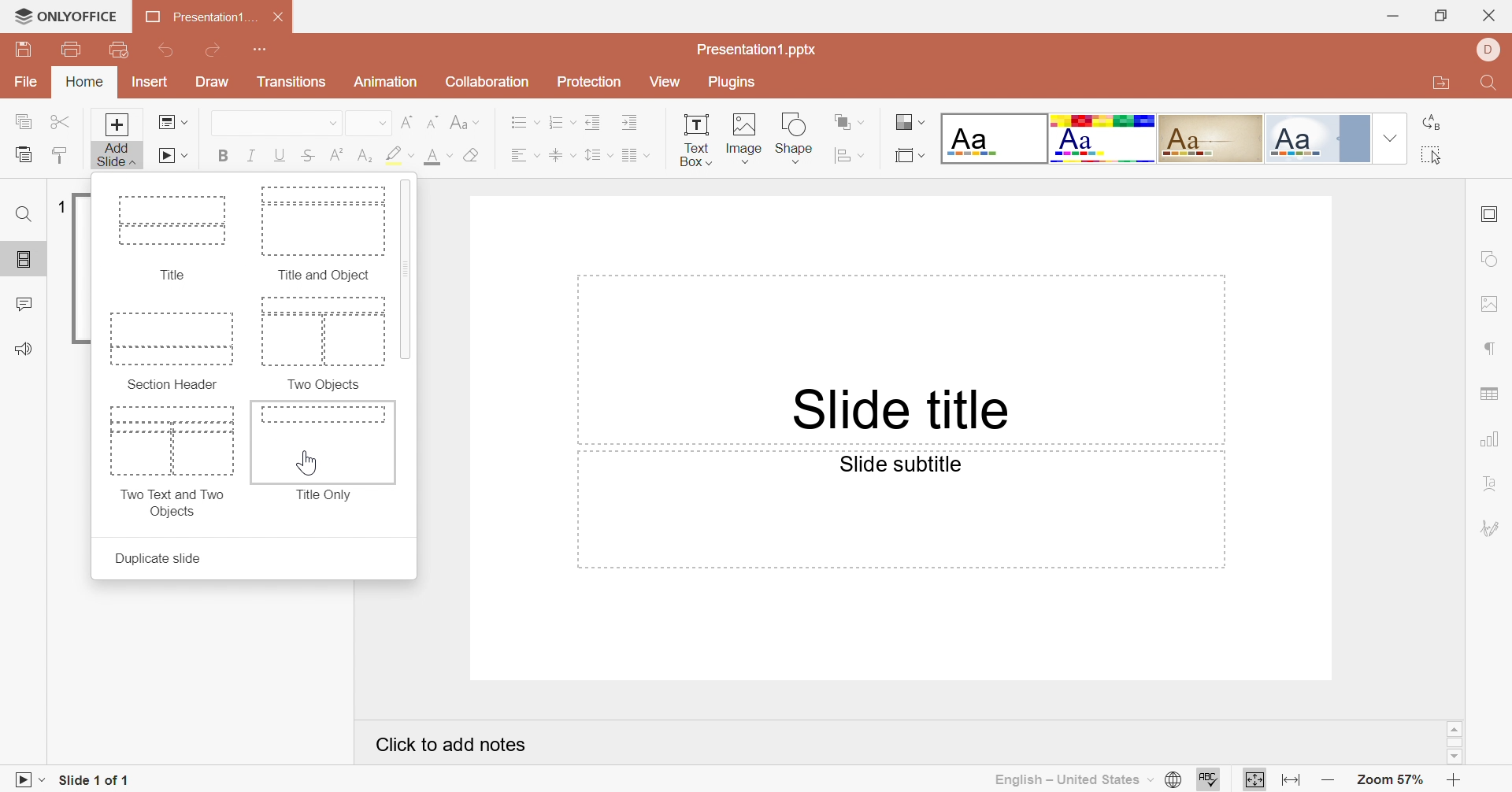 This screenshot has height=792, width=1512. I want to click on Presentation1..., so click(202, 17).